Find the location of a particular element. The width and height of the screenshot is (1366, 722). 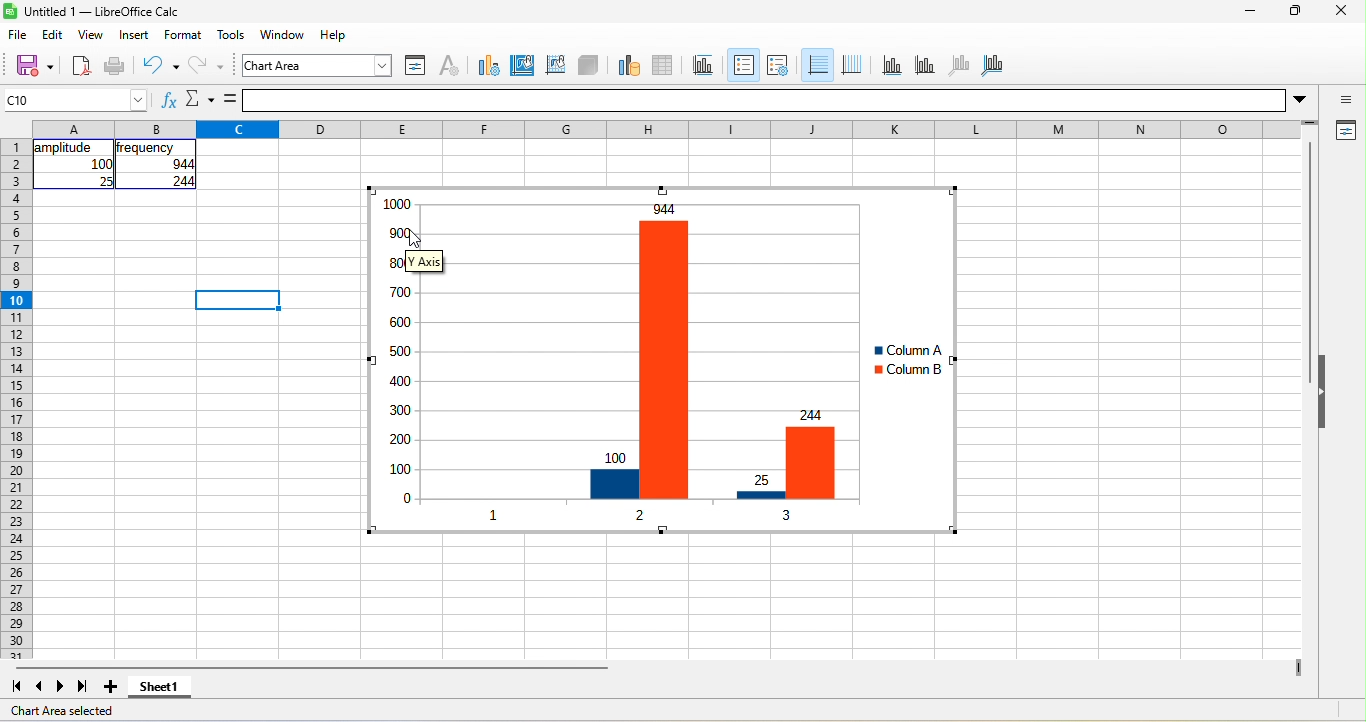

maximize is located at coordinates (1292, 13).